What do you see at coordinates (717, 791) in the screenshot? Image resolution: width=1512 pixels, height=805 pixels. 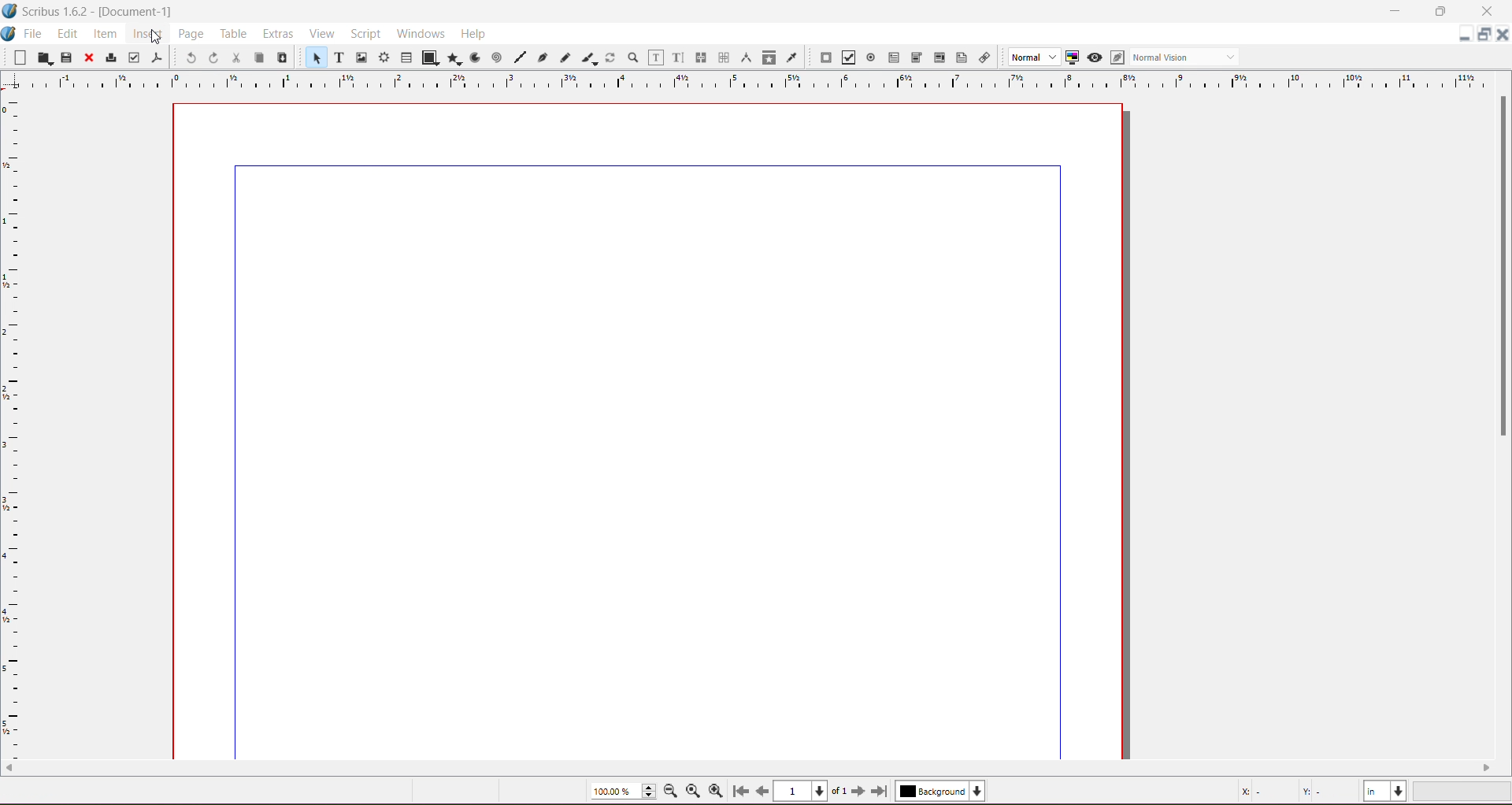 I see `Zoom In by the stepping value in the Tools preferences` at bounding box center [717, 791].